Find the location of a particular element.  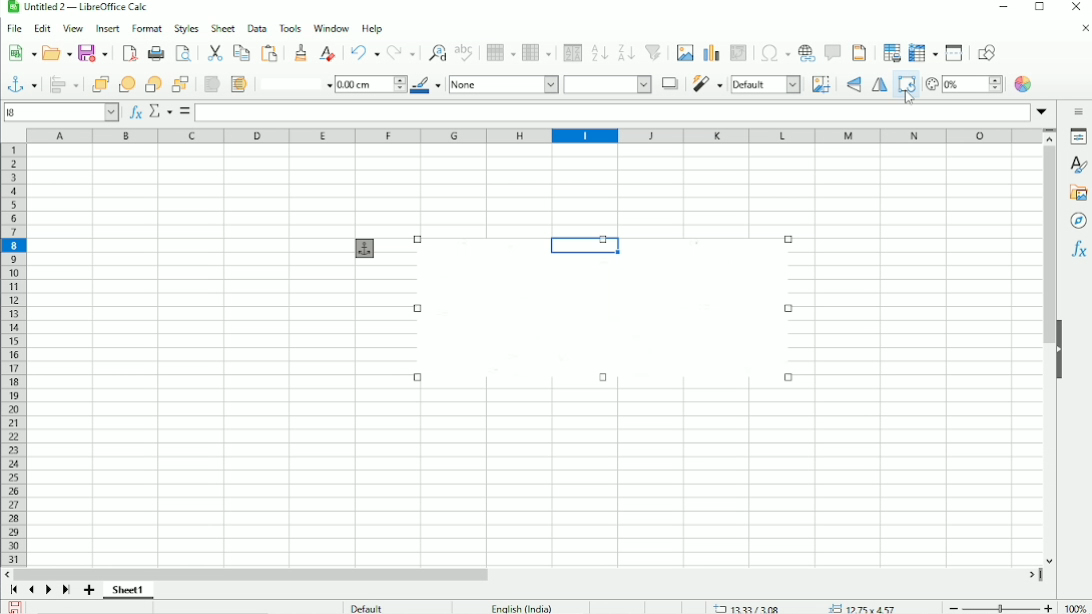

100% is located at coordinates (1075, 605).